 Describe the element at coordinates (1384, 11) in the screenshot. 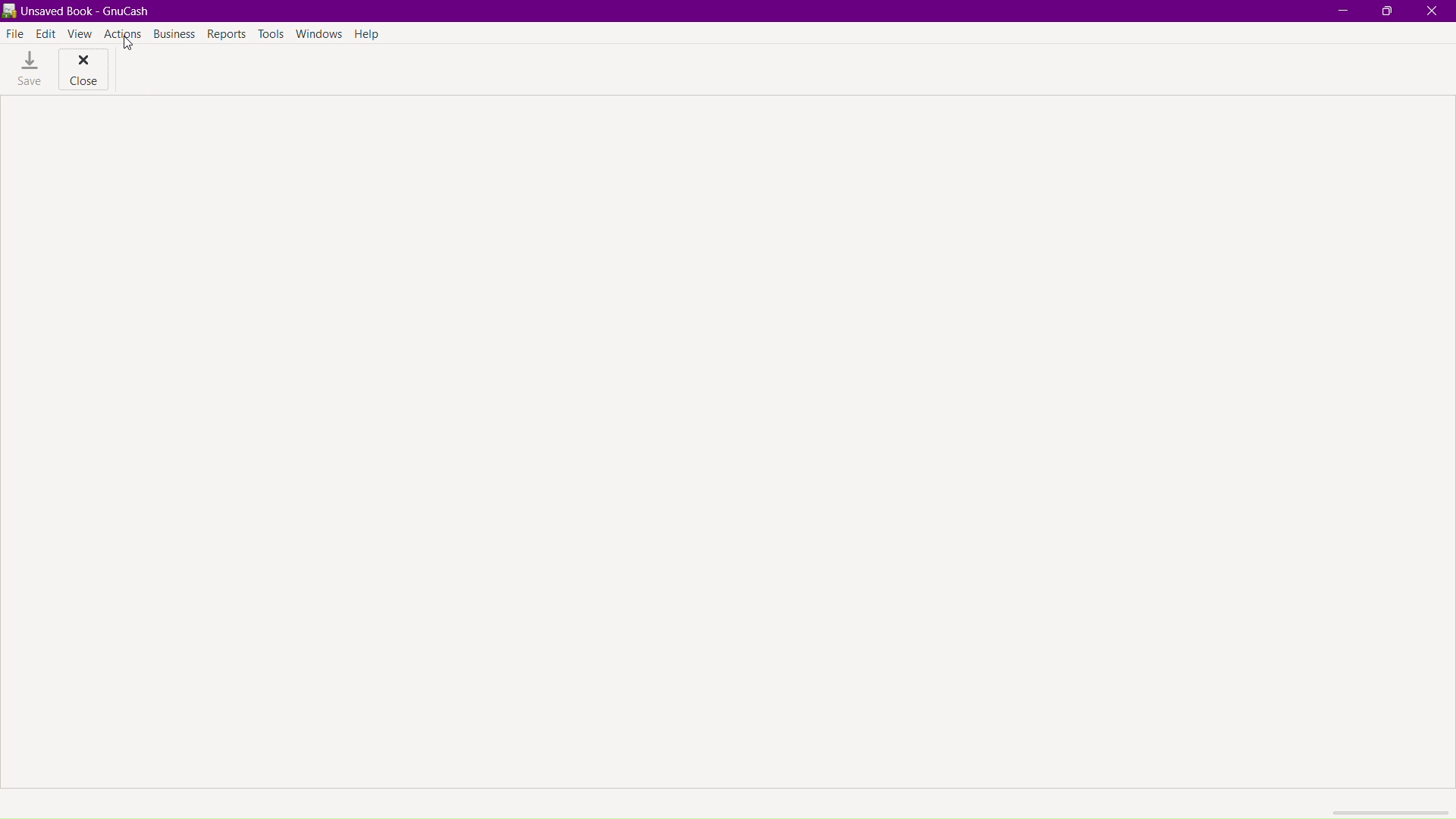

I see `Maximize` at that location.